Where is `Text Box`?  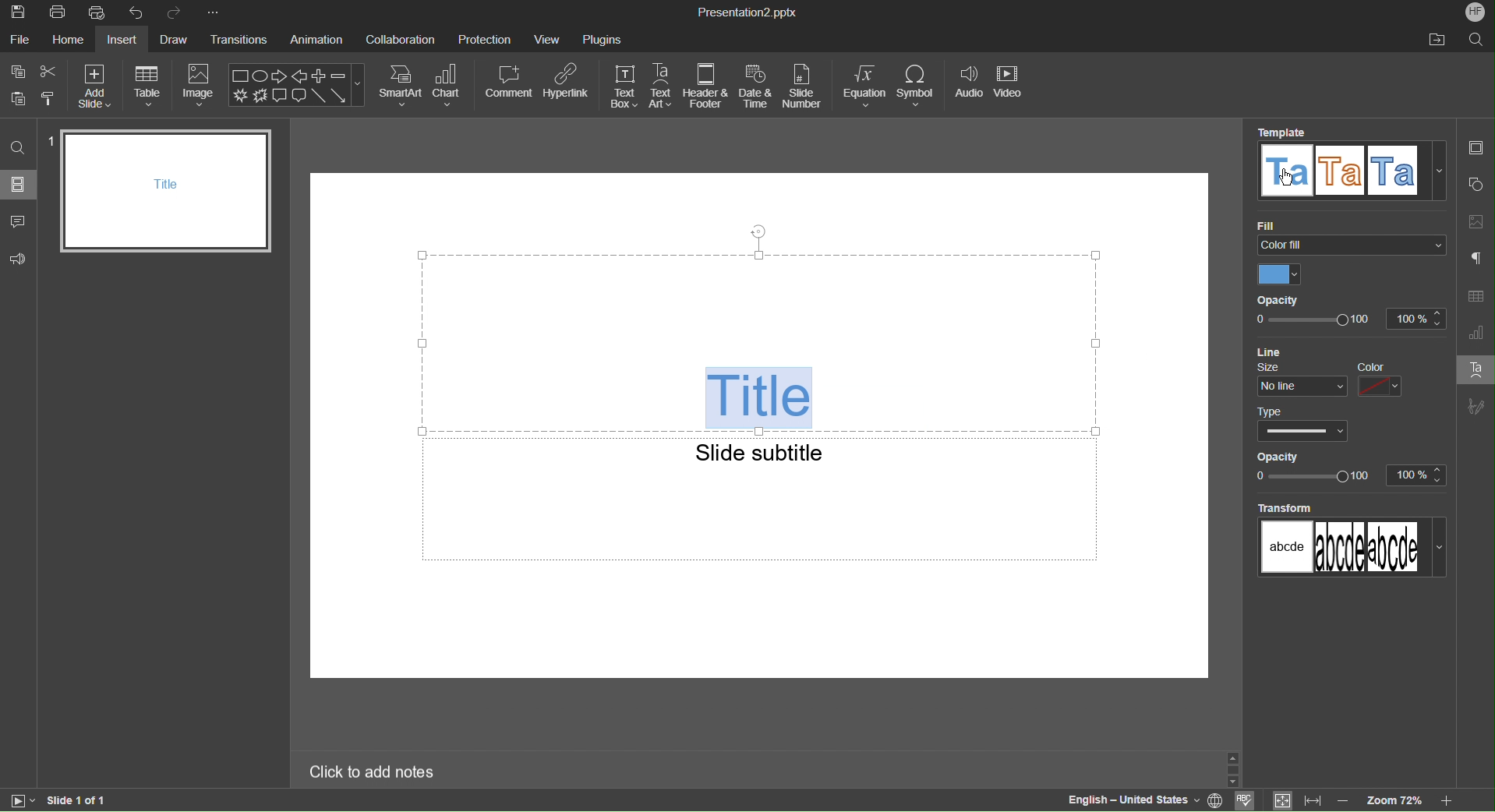
Text Box is located at coordinates (624, 86).